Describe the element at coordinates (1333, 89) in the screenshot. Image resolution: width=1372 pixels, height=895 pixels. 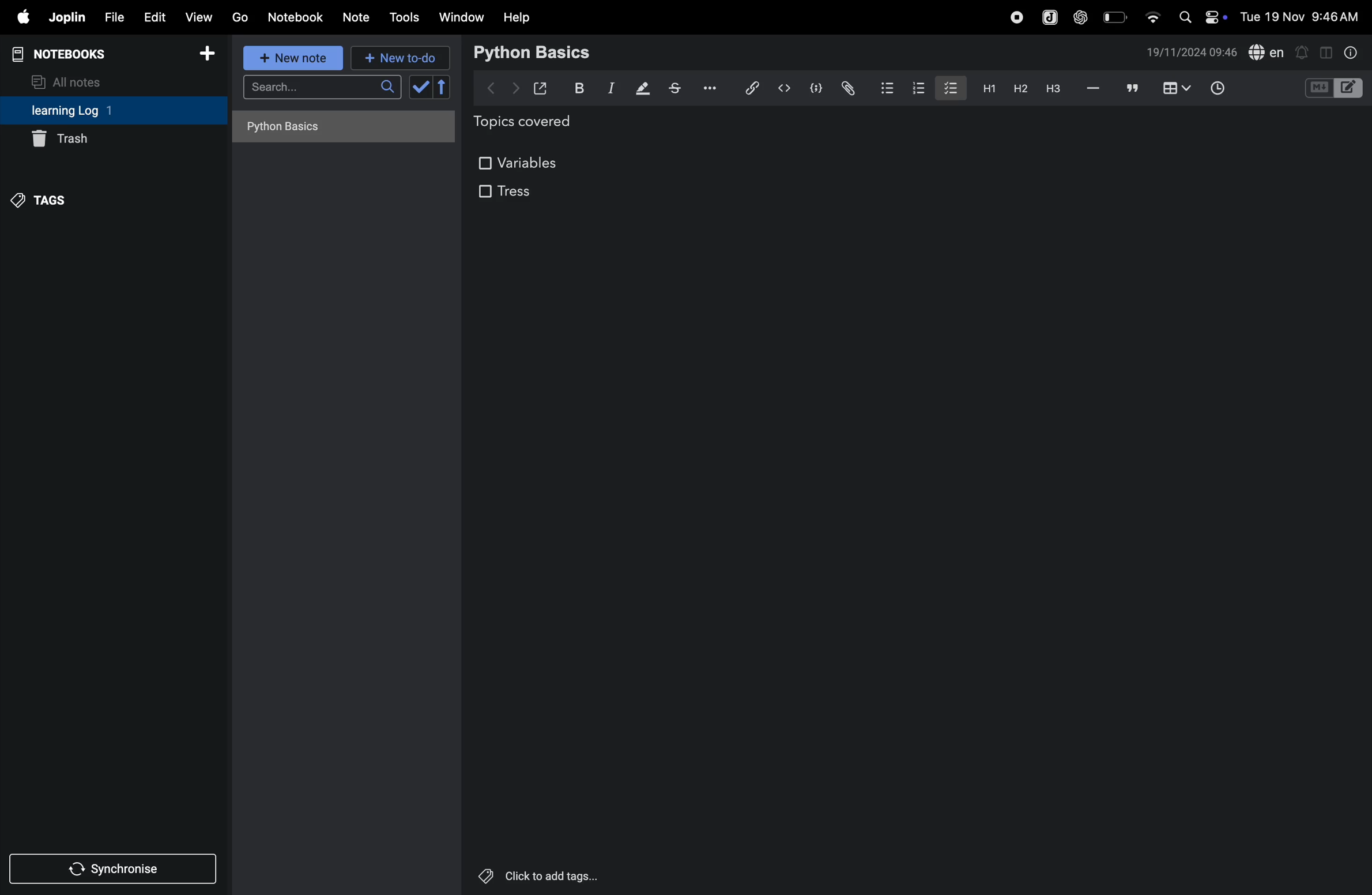
I see `code block` at that location.